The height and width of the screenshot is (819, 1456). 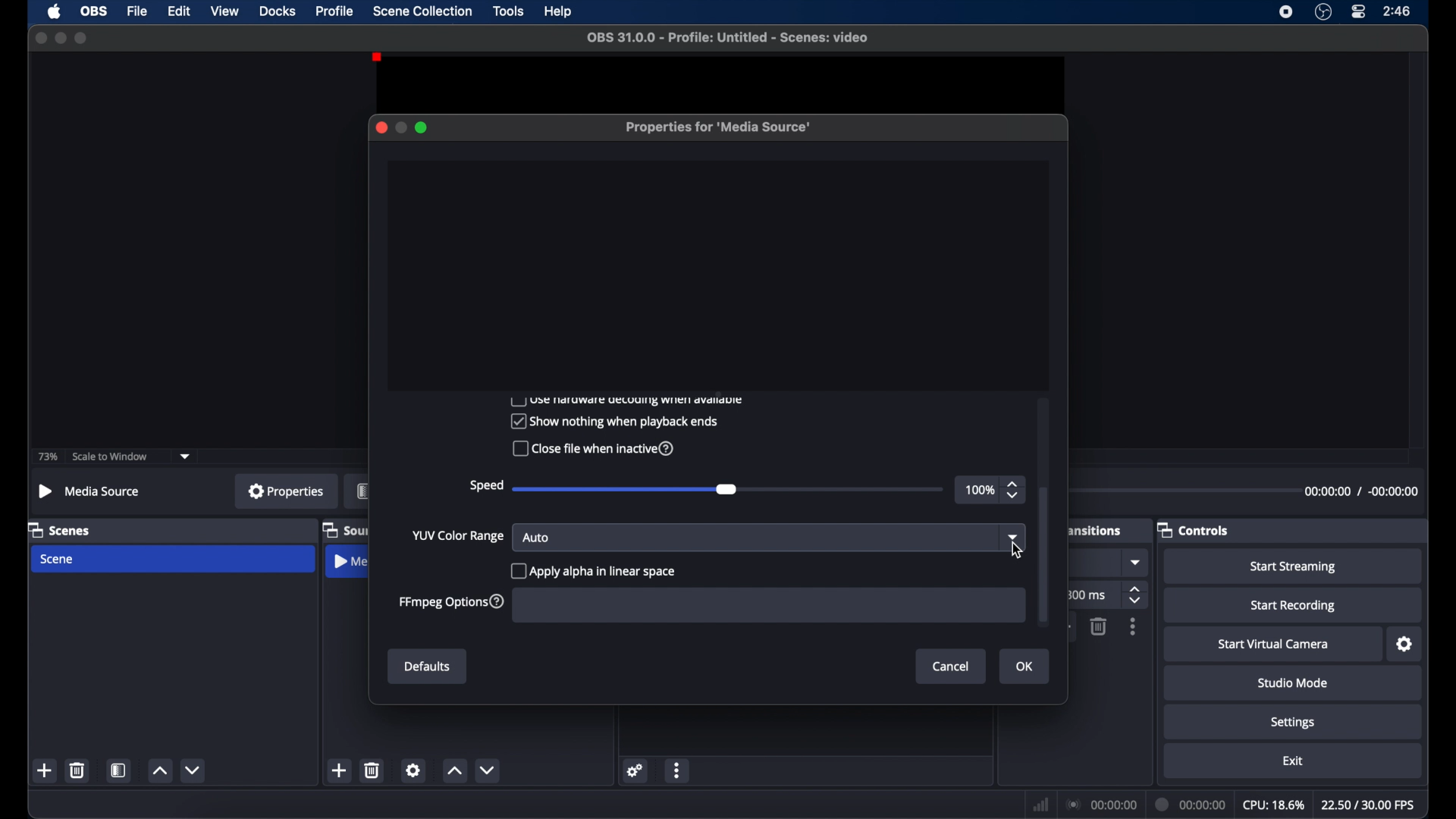 What do you see at coordinates (485, 484) in the screenshot?
I see `speed` at bounding box center [485, 484].